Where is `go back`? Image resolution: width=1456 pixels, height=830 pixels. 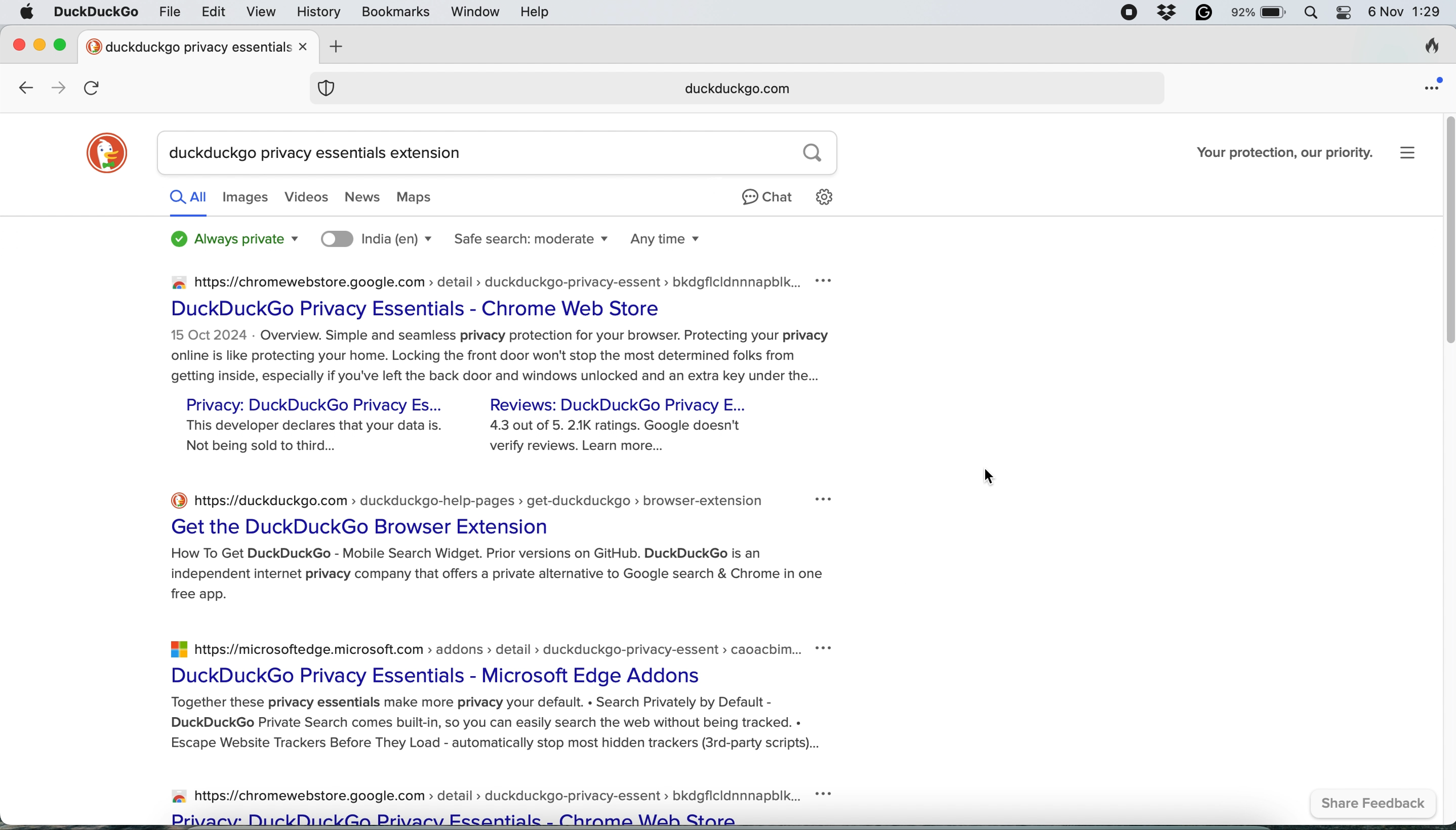
go back is located at coordinates (25, 88).